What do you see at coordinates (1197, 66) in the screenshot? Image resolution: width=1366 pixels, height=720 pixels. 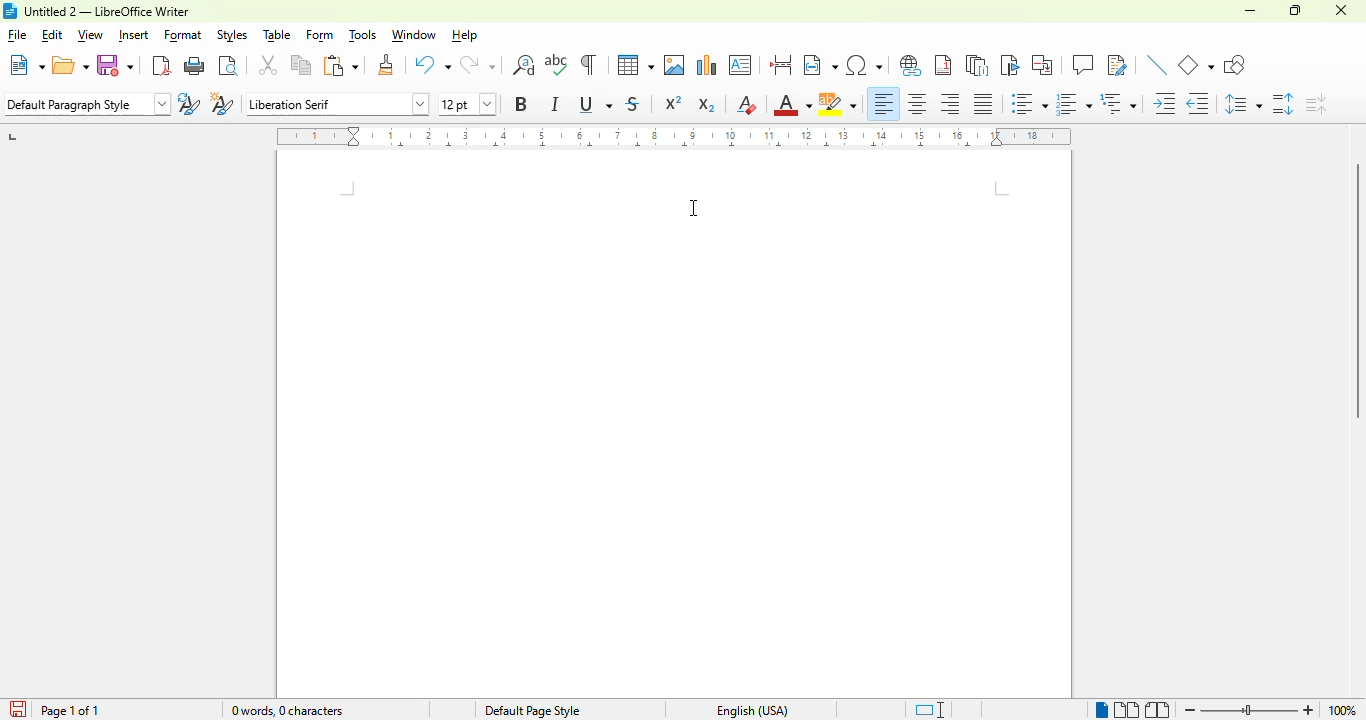 I see `basic shapes` at bounding box center [1197, 66].